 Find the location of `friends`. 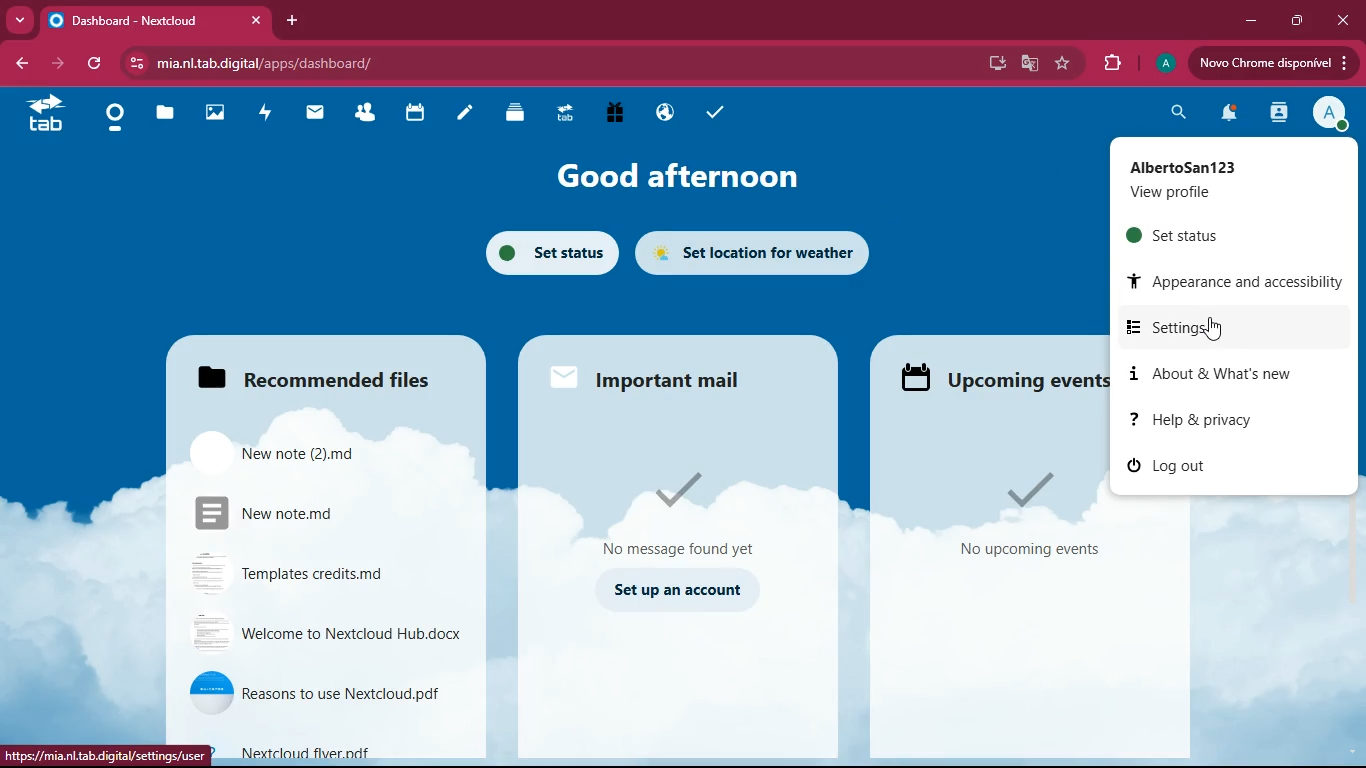

friends is located at coordinates (359, 113).